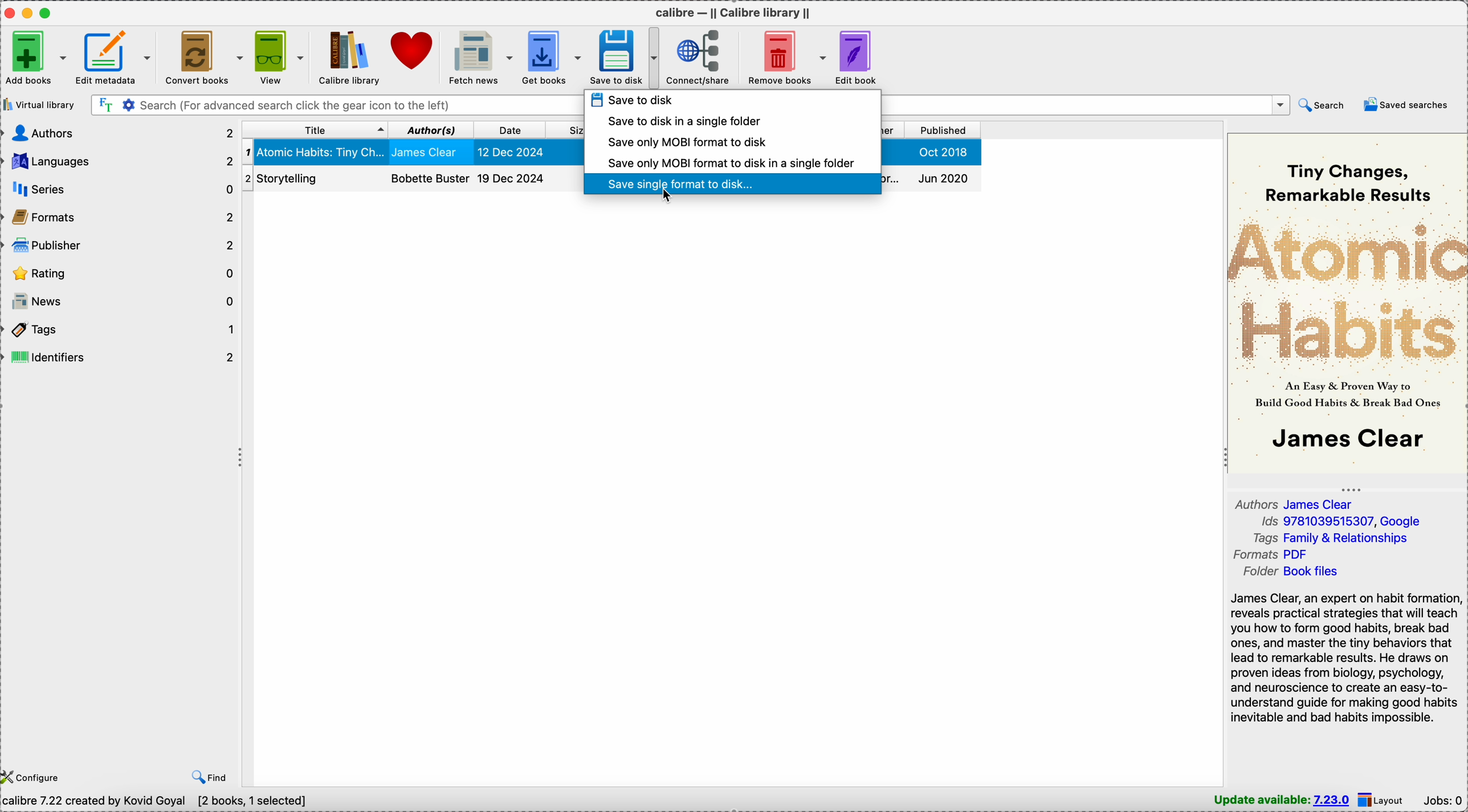  Describe the element at coordinates (121, 332) in the screenshot. I see `tags` at that location.